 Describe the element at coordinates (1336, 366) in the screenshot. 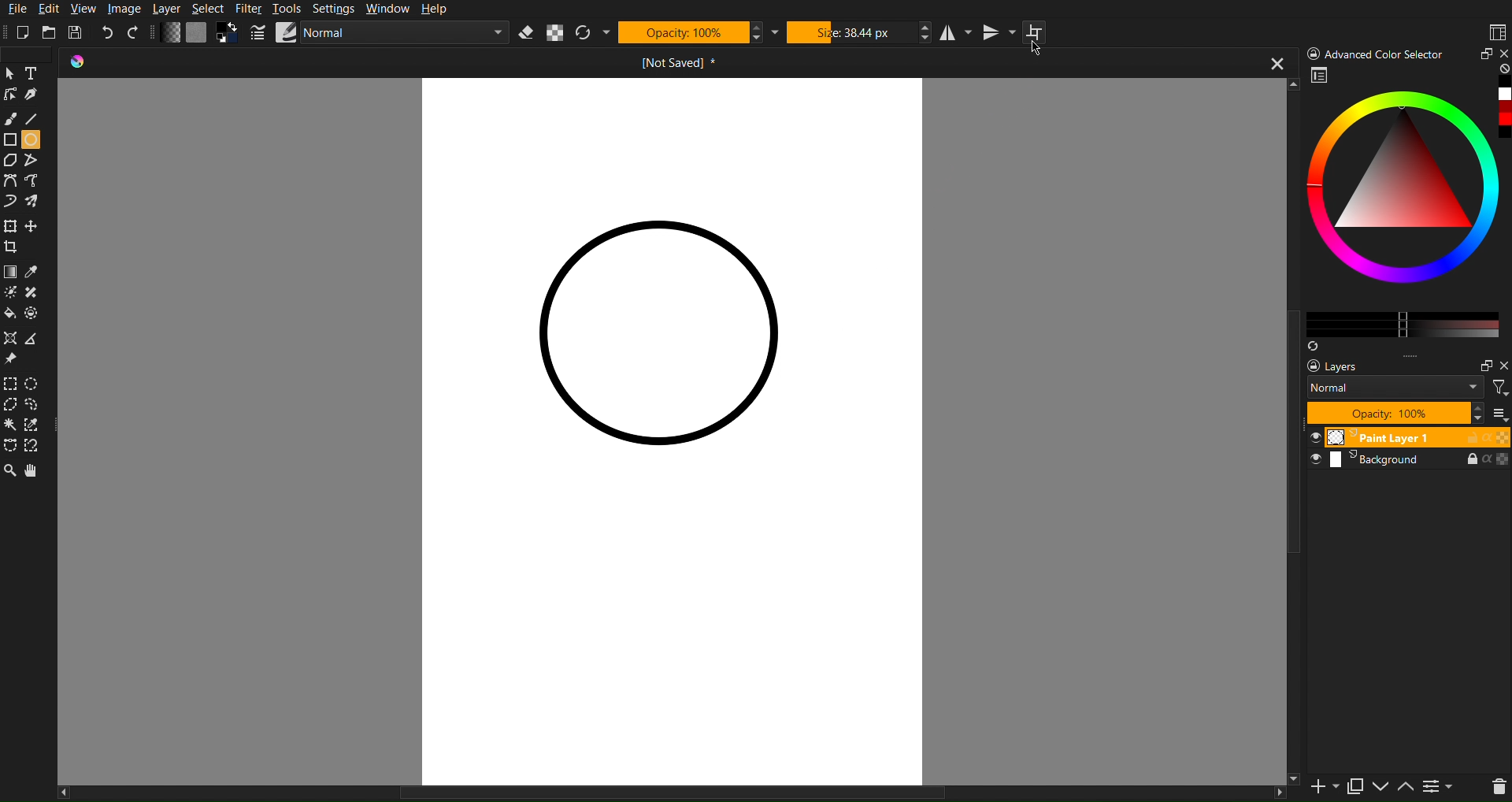

I see `Layers` at that location.